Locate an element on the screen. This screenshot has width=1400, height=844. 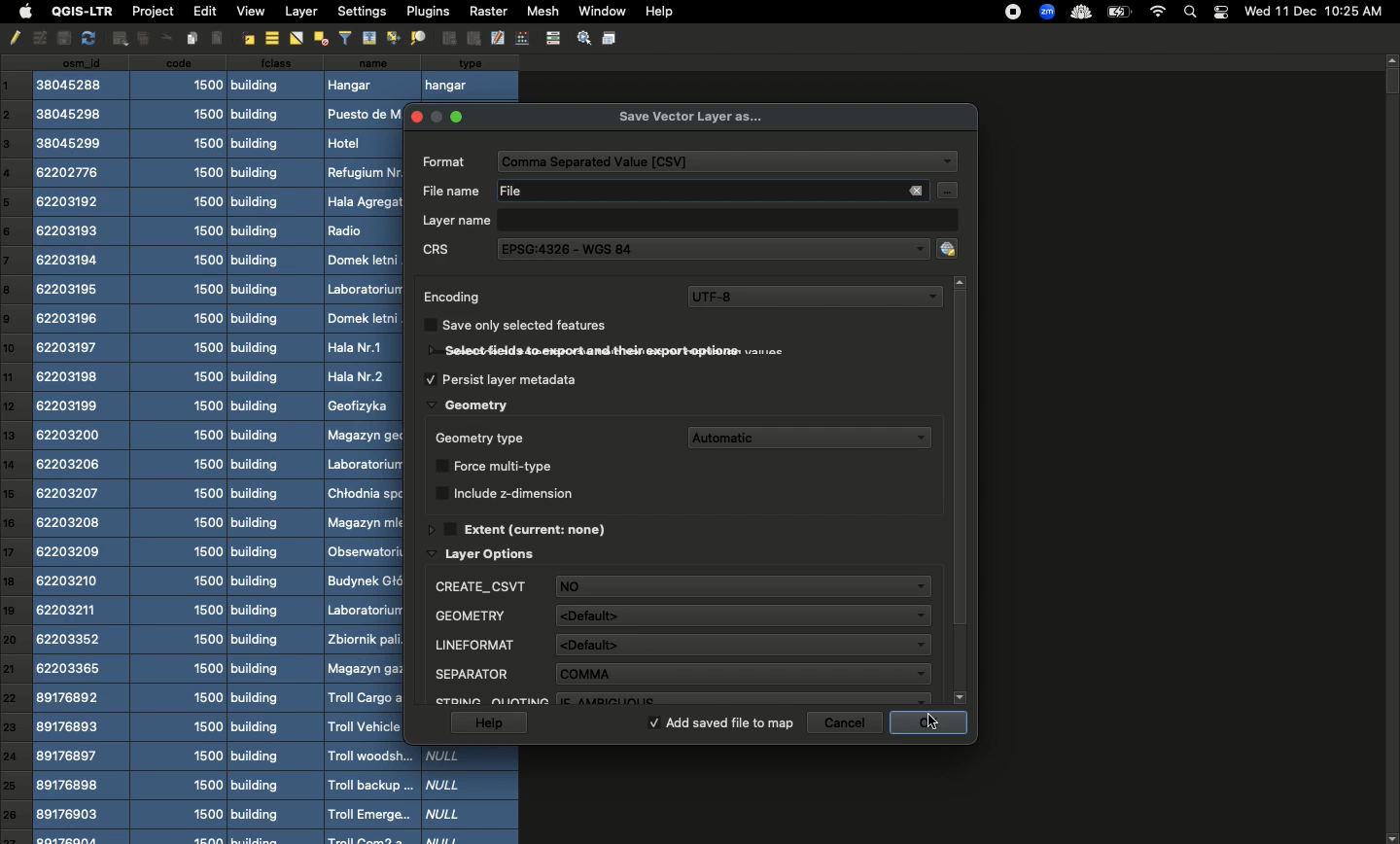
Include z-dimension is located at coordinates (517, 491).